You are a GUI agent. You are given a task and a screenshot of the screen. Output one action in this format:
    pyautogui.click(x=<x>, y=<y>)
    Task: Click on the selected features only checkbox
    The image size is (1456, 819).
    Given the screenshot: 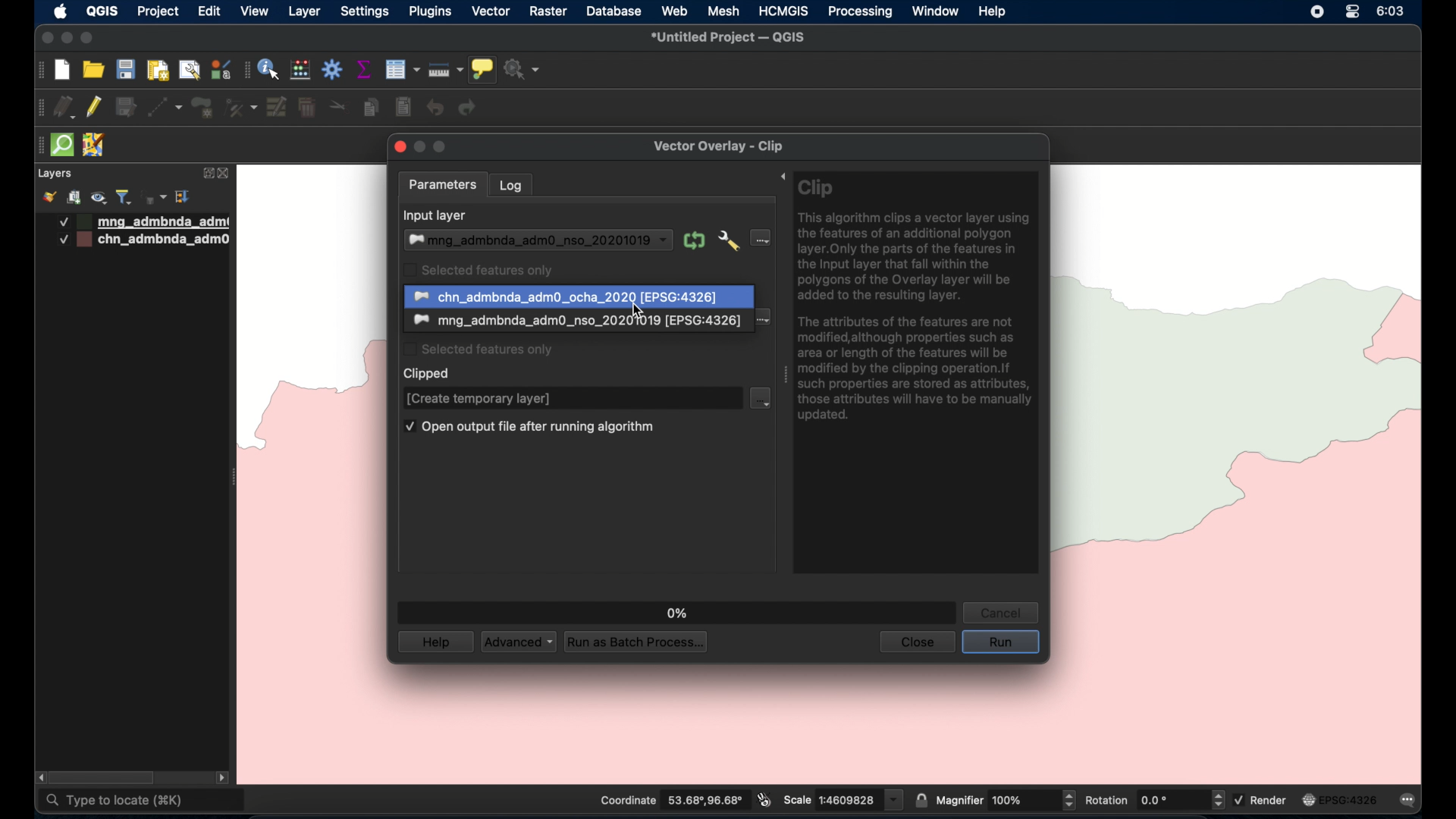 What is the action you would take?
    pyautogui.click(x=478, y=269)
    